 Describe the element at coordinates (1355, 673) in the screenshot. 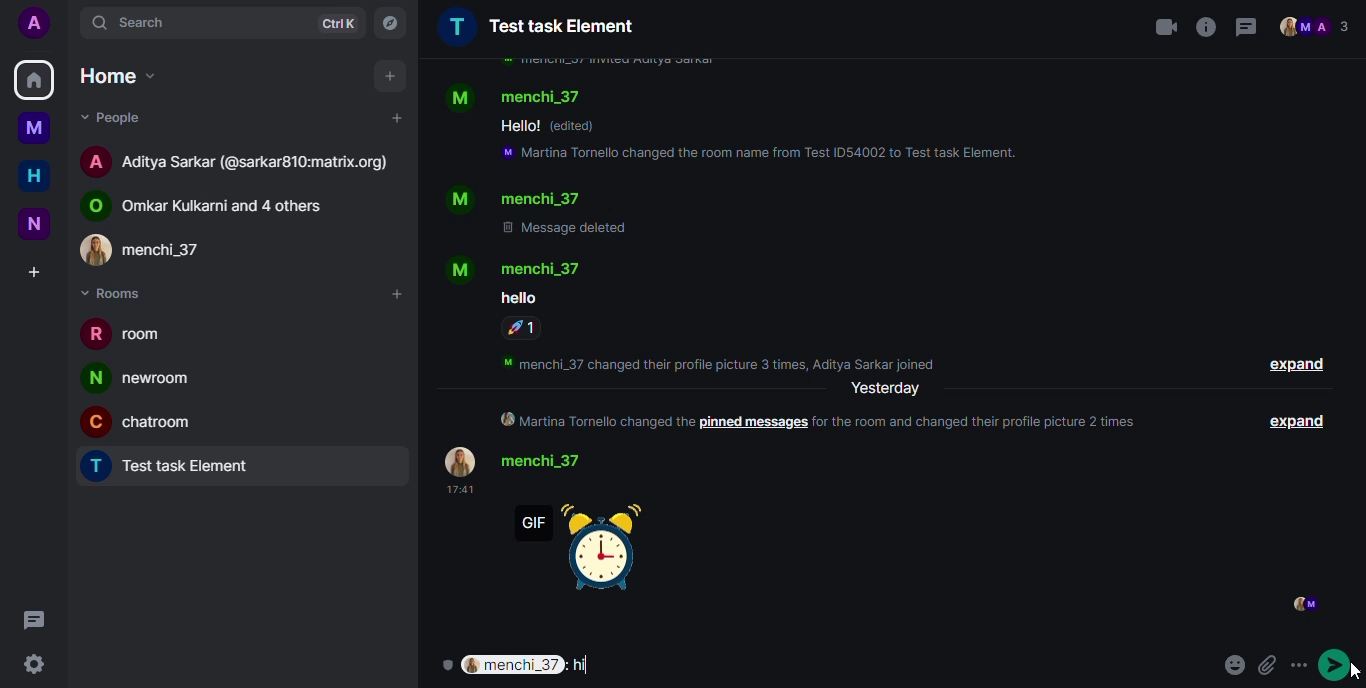

I see `cursor` at that location.